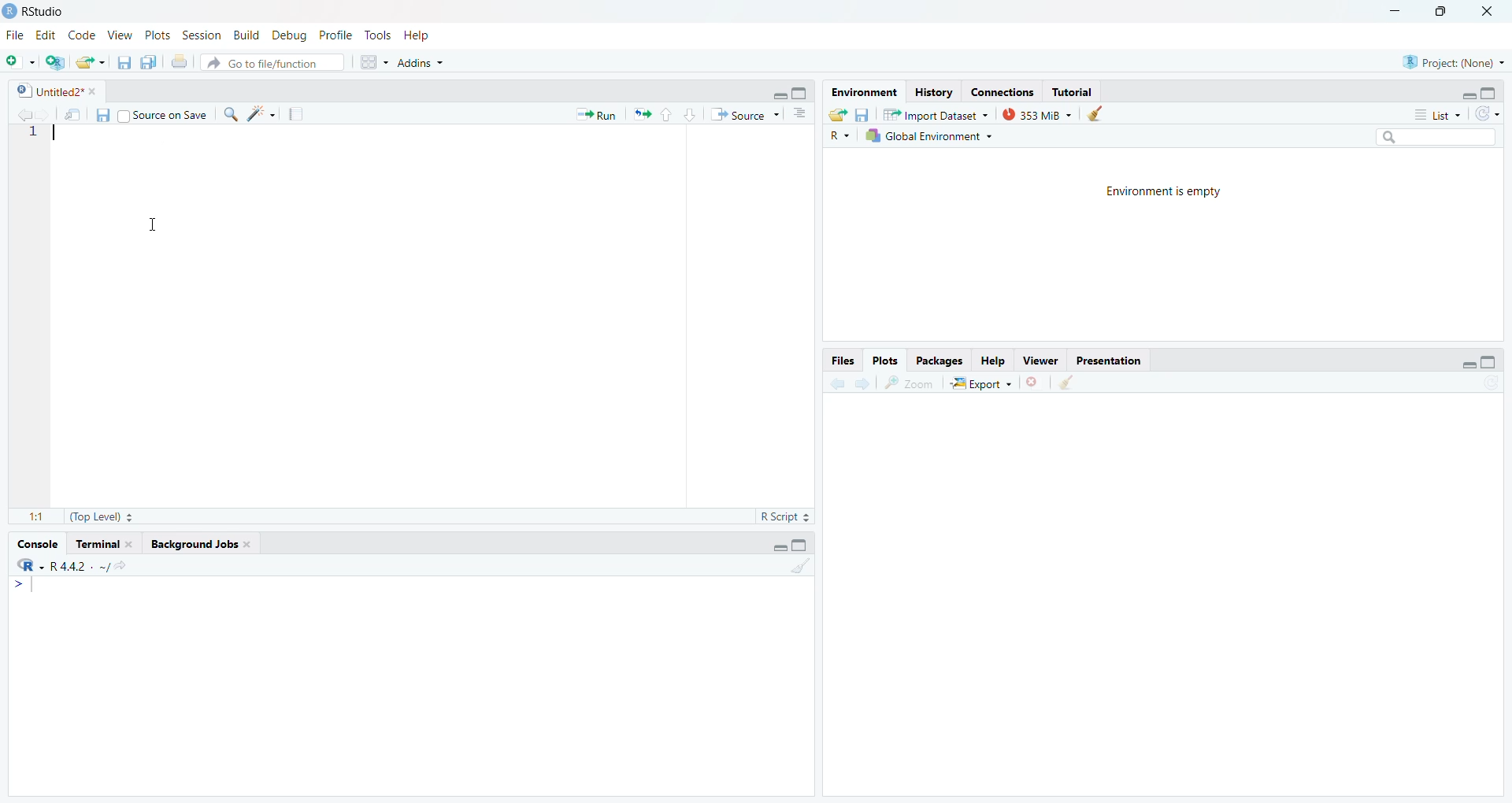 The image size is (1512, 803). I want to click on load workspace, so click(839, 115).